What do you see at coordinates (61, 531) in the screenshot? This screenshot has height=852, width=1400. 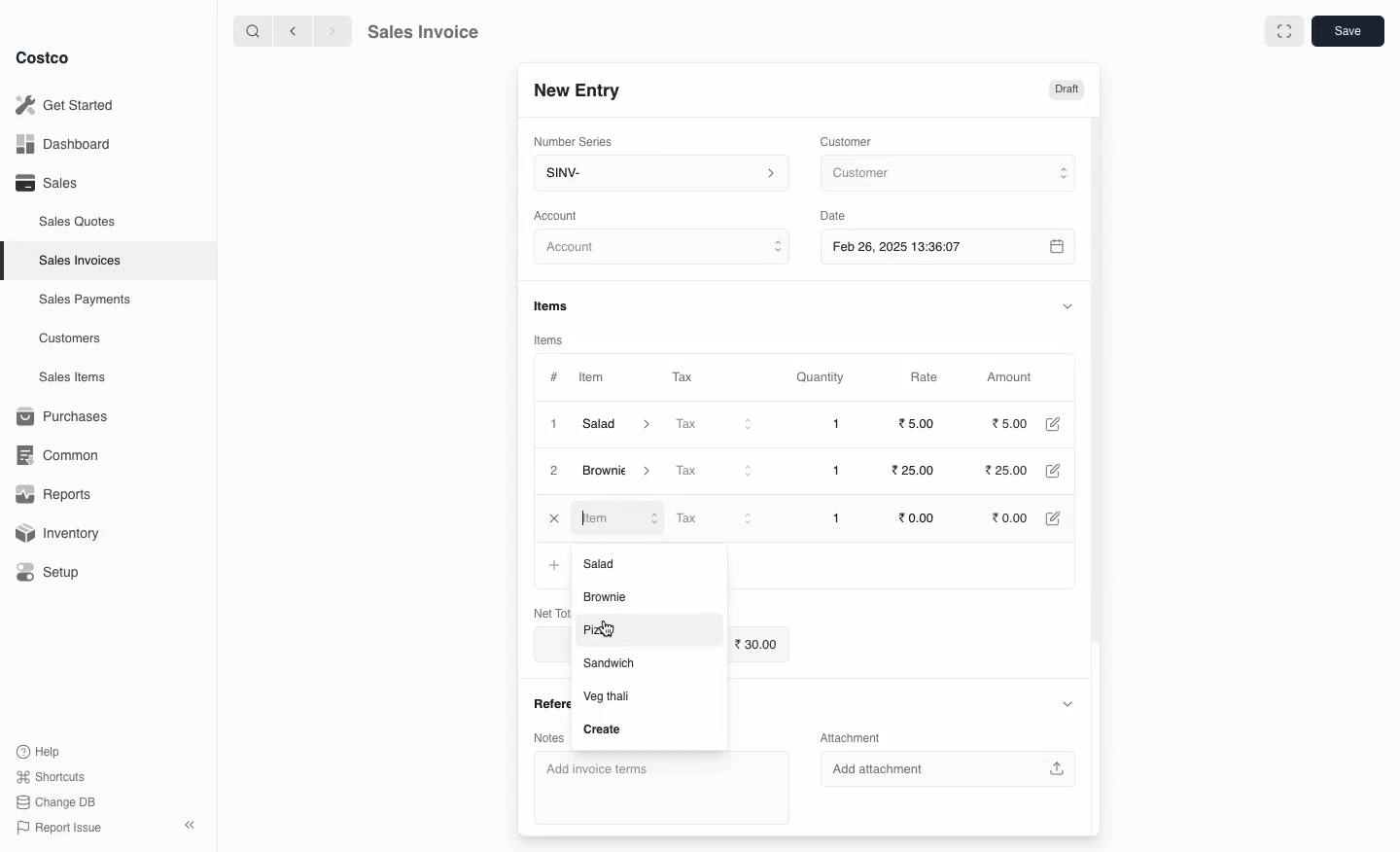 I see `Inventory` at bounding box center [61, 531].